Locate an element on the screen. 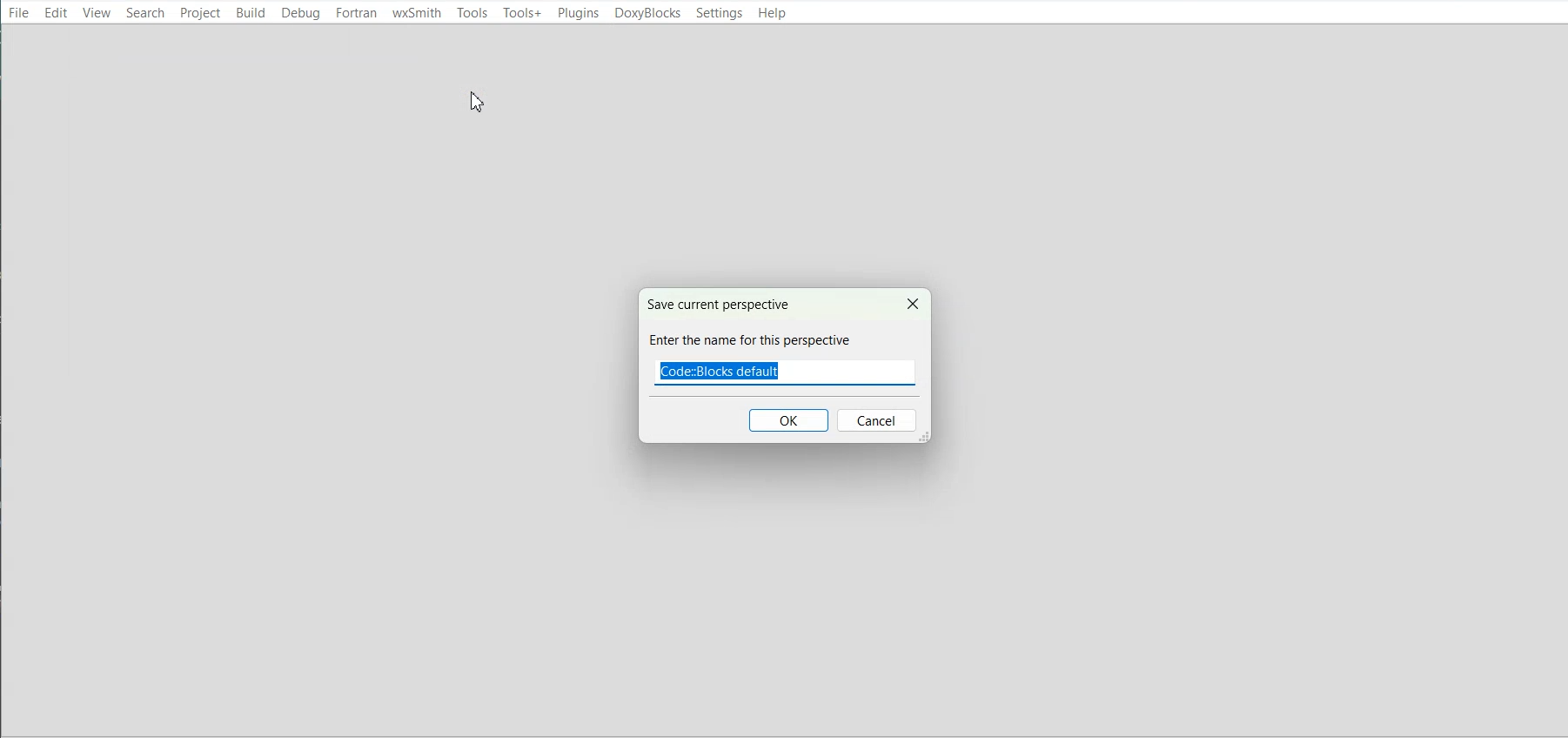 The width and height of the screenshot is (1568, 738). View is located at coordinates (97, 12).